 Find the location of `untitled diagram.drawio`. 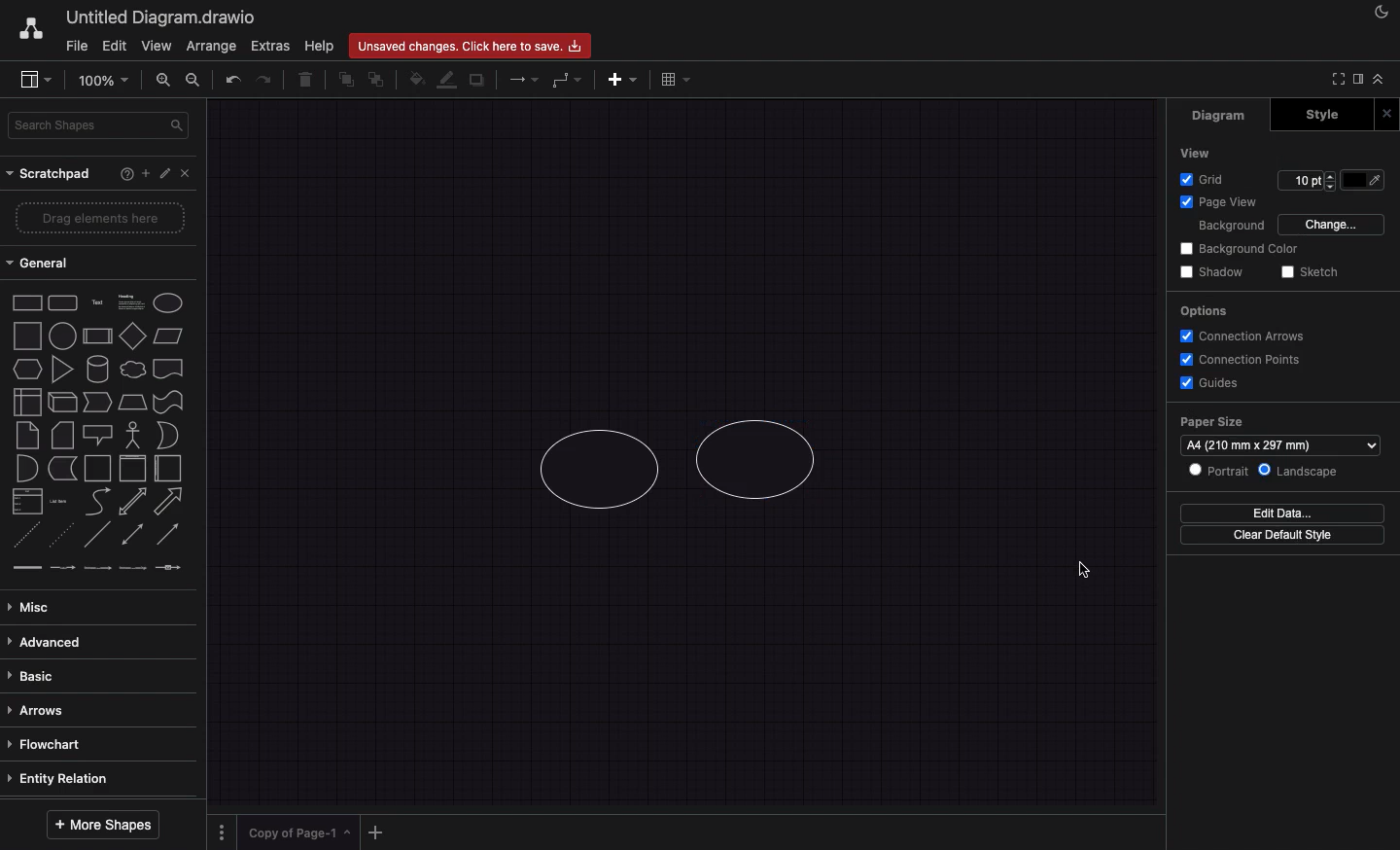

untitled diagram.drawio is located at coordinates (161, 18).